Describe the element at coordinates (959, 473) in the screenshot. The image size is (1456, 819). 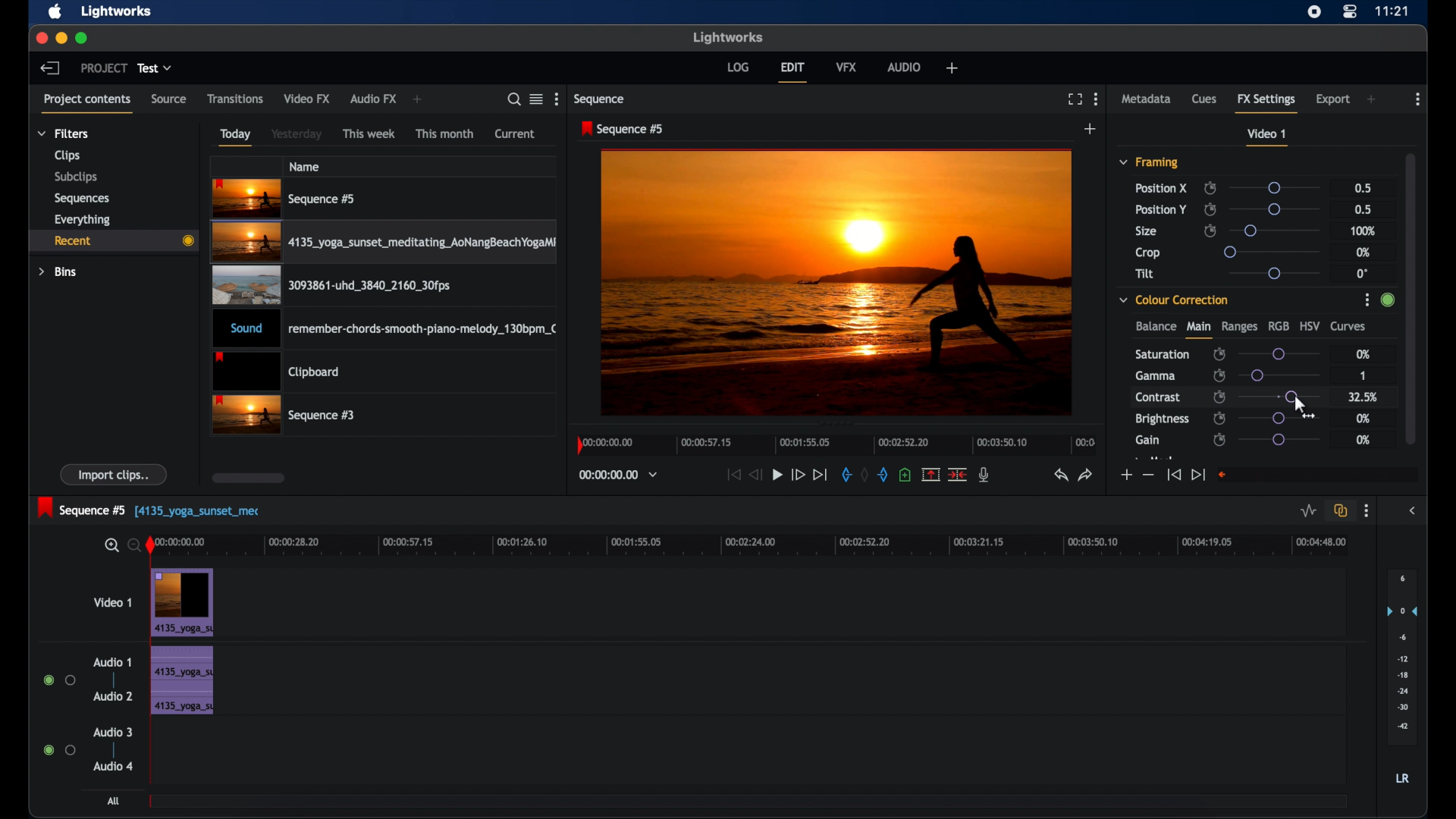
I see `split` at that location.